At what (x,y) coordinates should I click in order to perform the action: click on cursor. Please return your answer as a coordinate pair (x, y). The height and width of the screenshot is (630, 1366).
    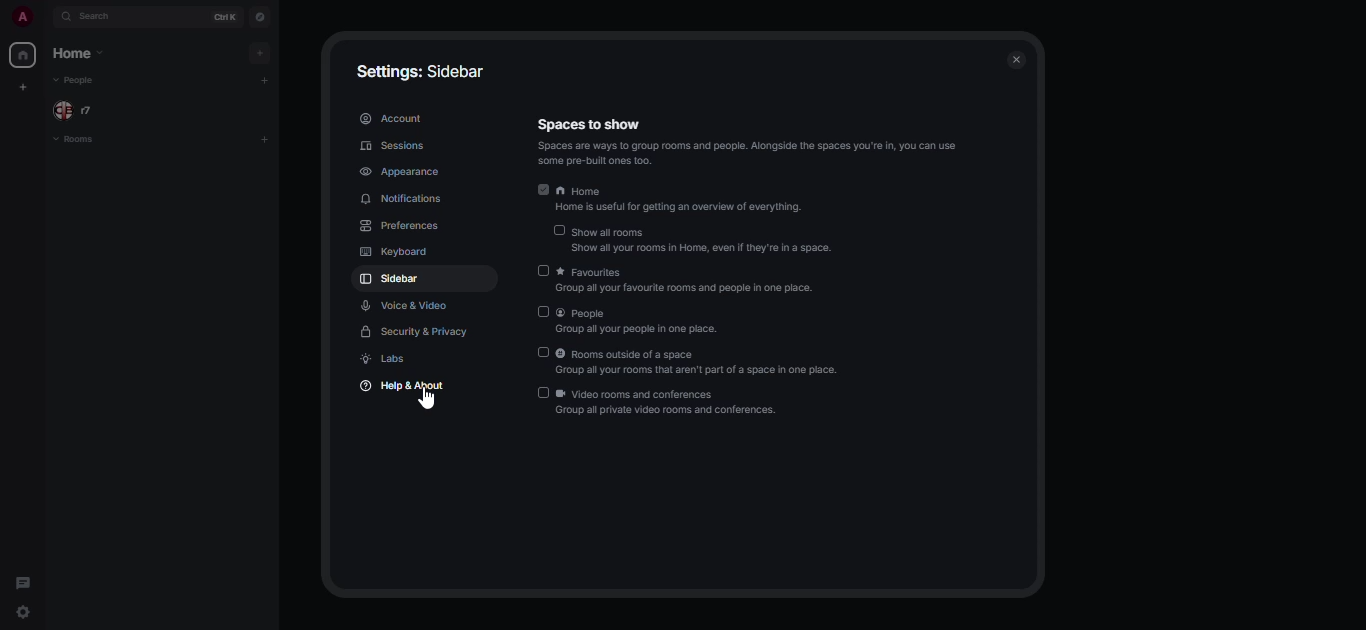
    Looking at the image, I should click on (427, 401).